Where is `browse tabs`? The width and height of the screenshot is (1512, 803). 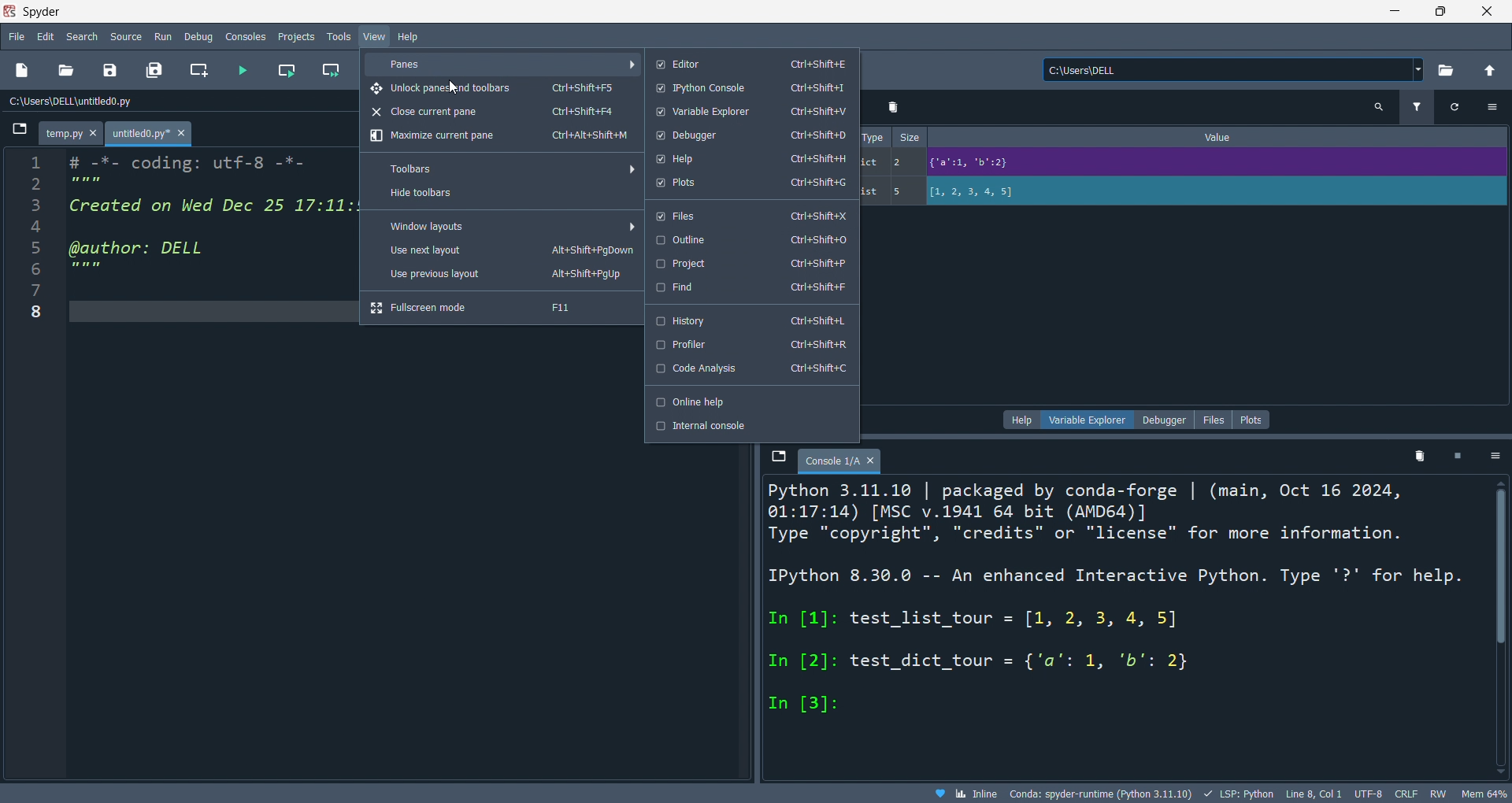 browse tabs is located at coordinates (18, 133).